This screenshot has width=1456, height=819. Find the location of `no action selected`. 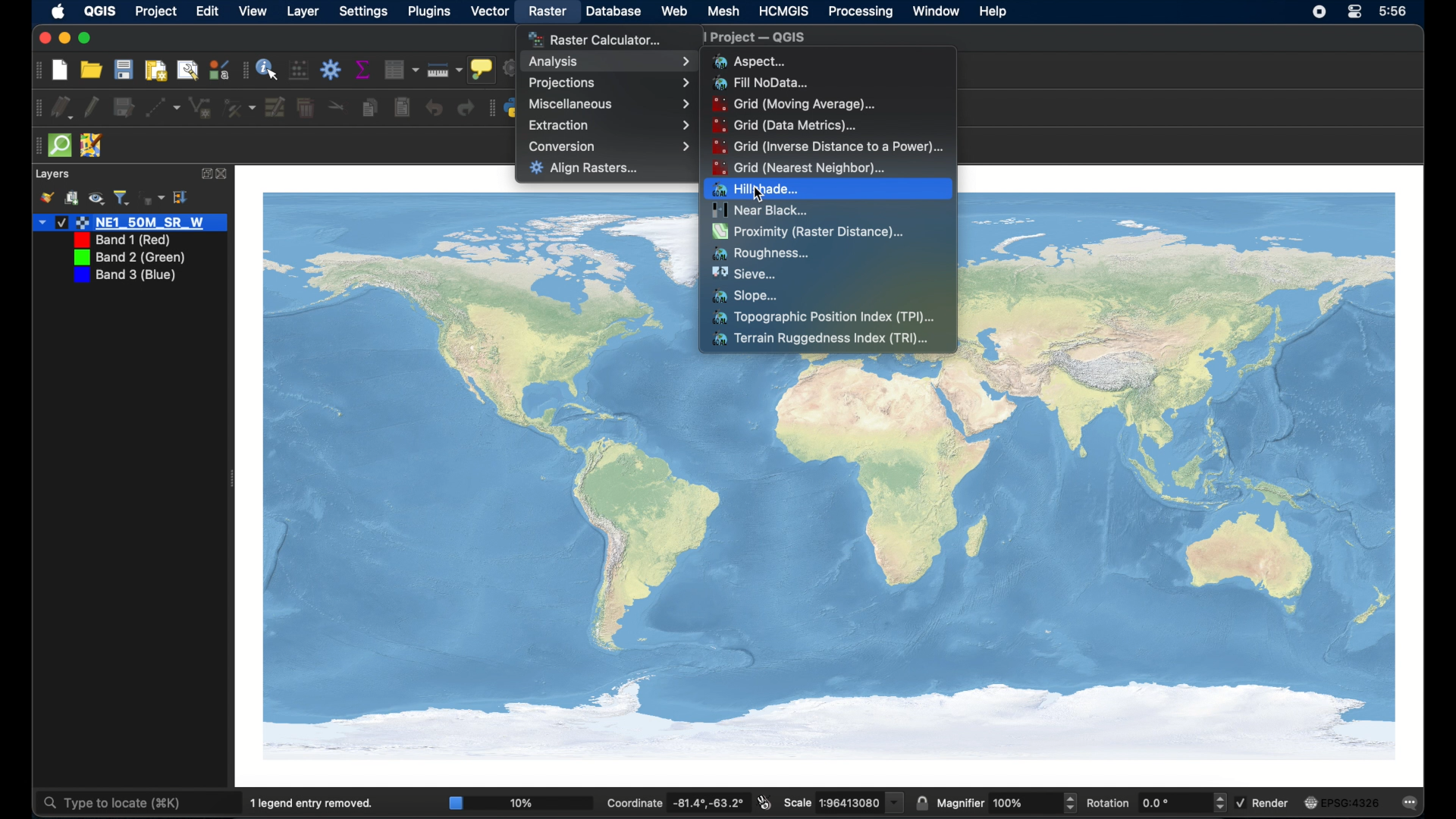

no action selected is located at coordinates (511, 67).